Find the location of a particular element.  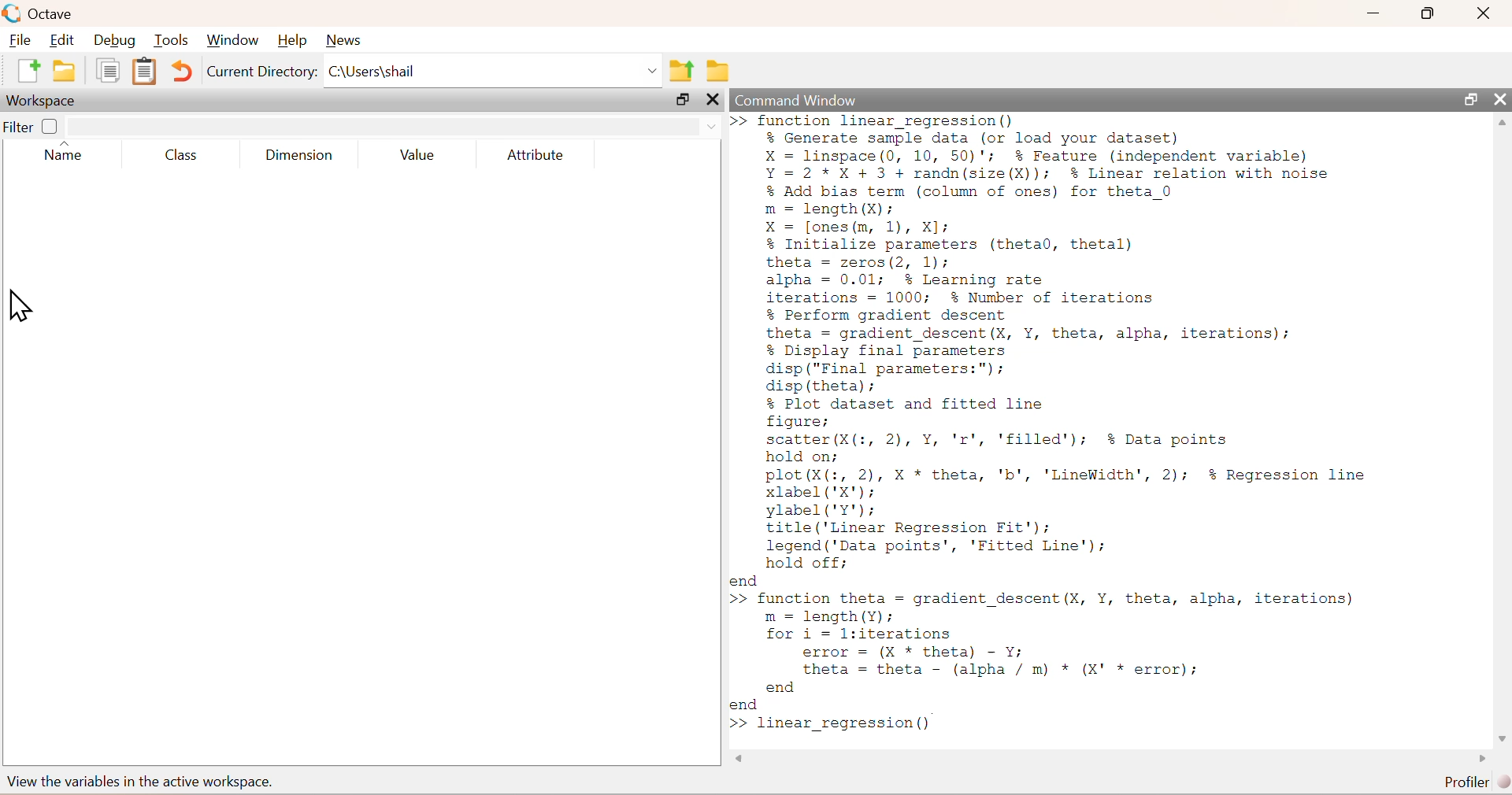

Class is located at coordinates (182, 156).